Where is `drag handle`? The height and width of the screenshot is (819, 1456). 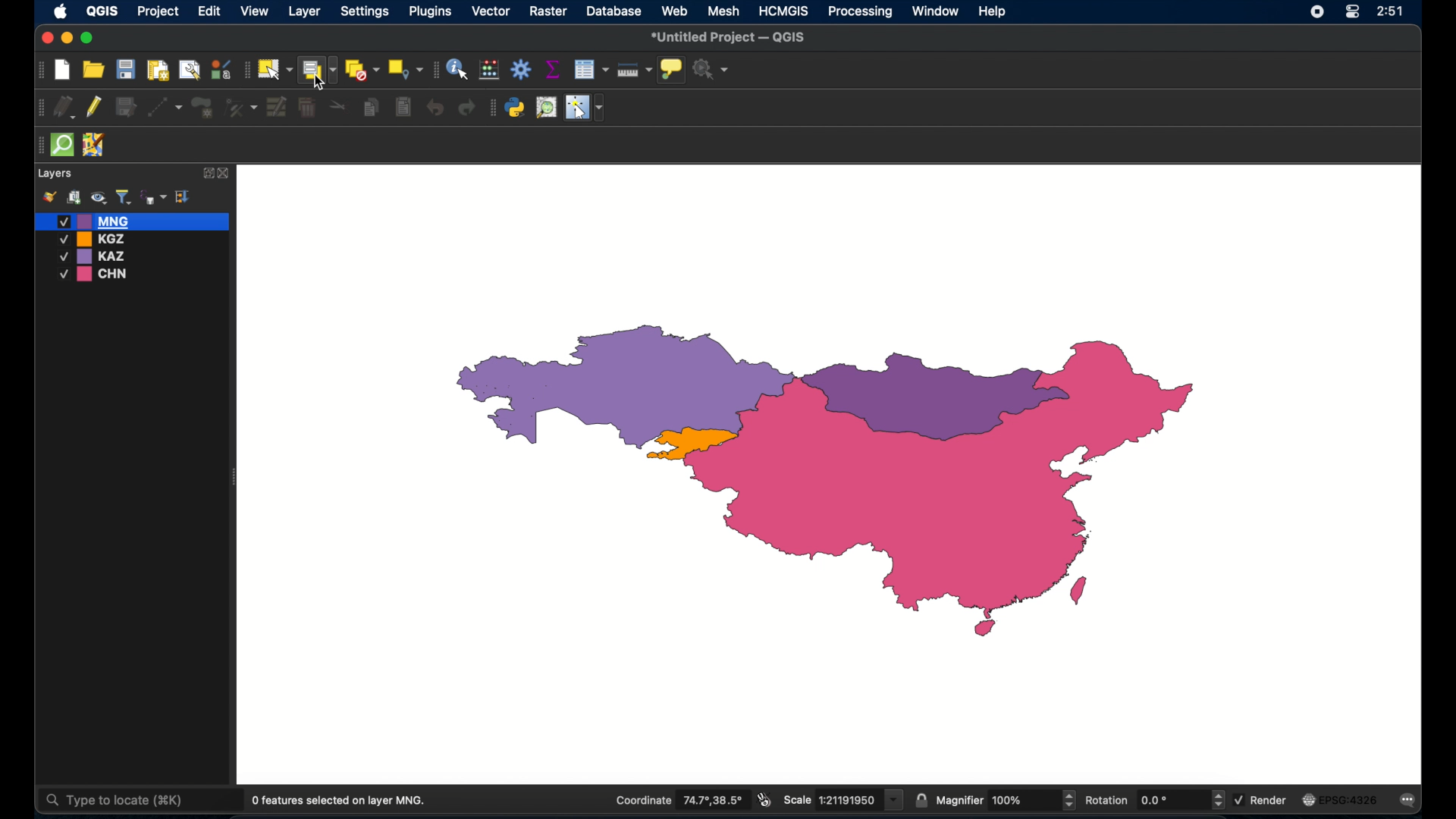
drag handle is located at coordinates (39, 106).